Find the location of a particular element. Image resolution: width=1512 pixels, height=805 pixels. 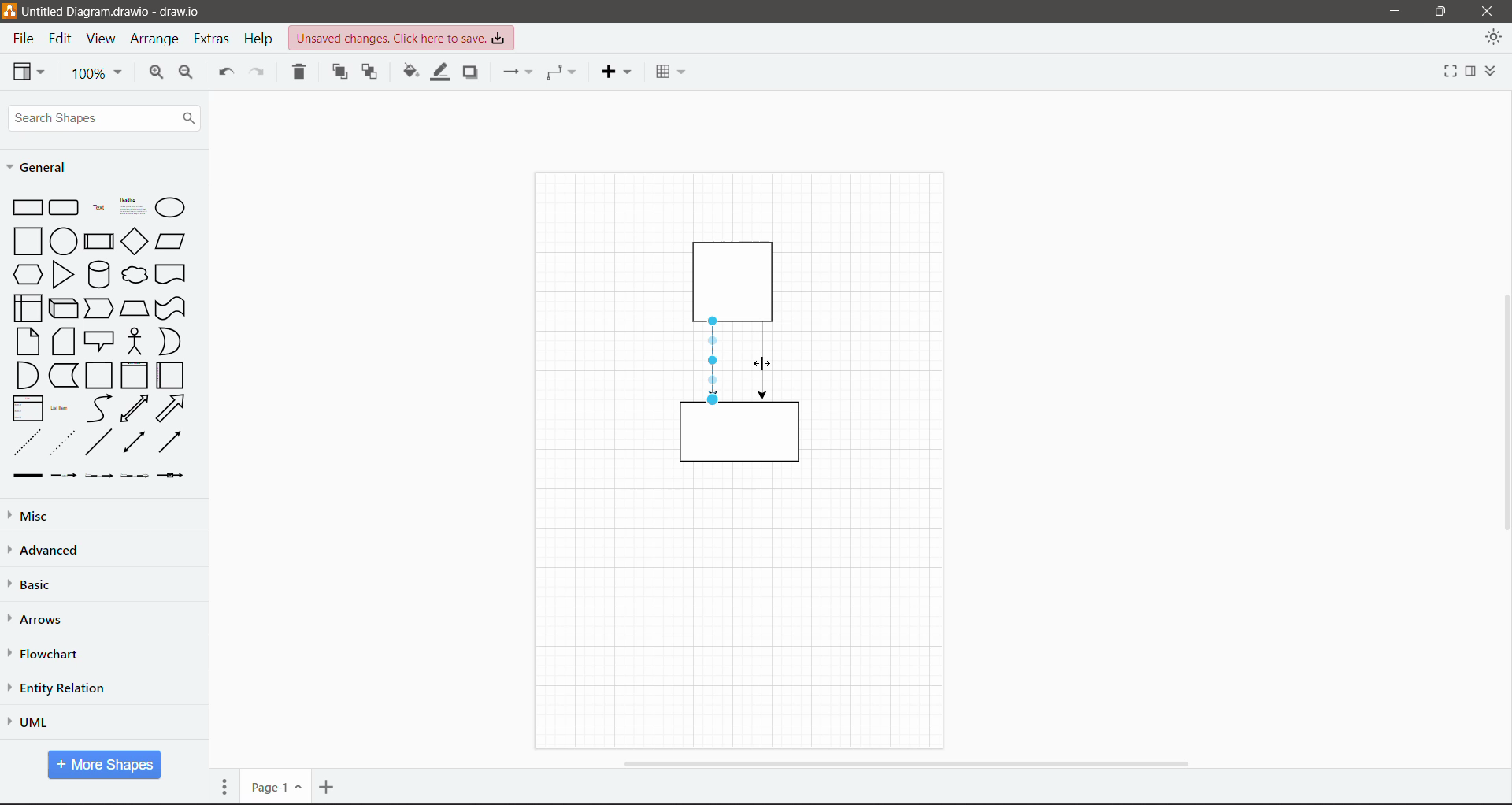

Format is located at coordinates (1470, 72).